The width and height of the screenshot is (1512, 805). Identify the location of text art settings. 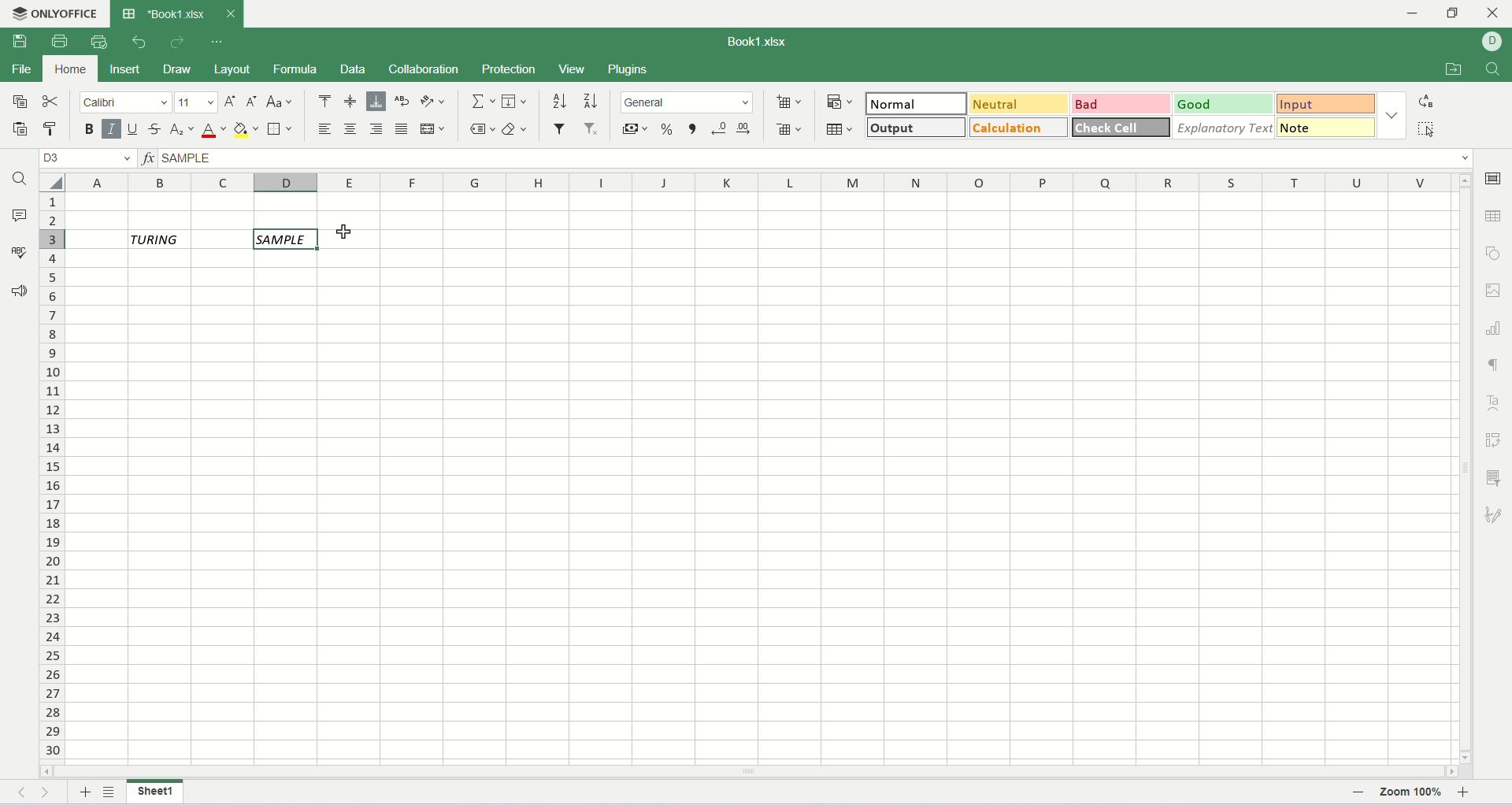
(1495, 402).